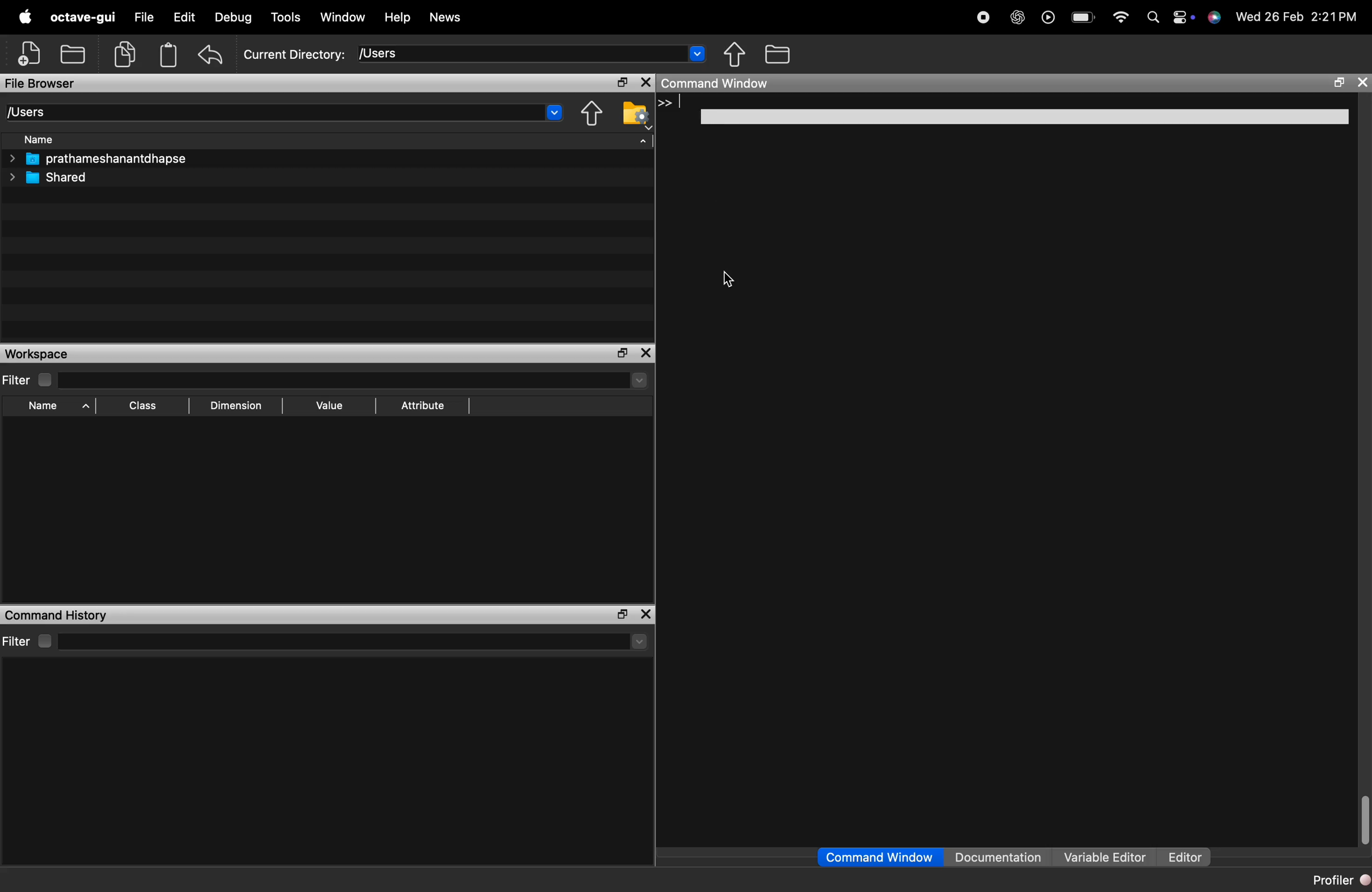 This screenshot has height=892, width=1372. I want to click on filter input field, so click(337, 379).